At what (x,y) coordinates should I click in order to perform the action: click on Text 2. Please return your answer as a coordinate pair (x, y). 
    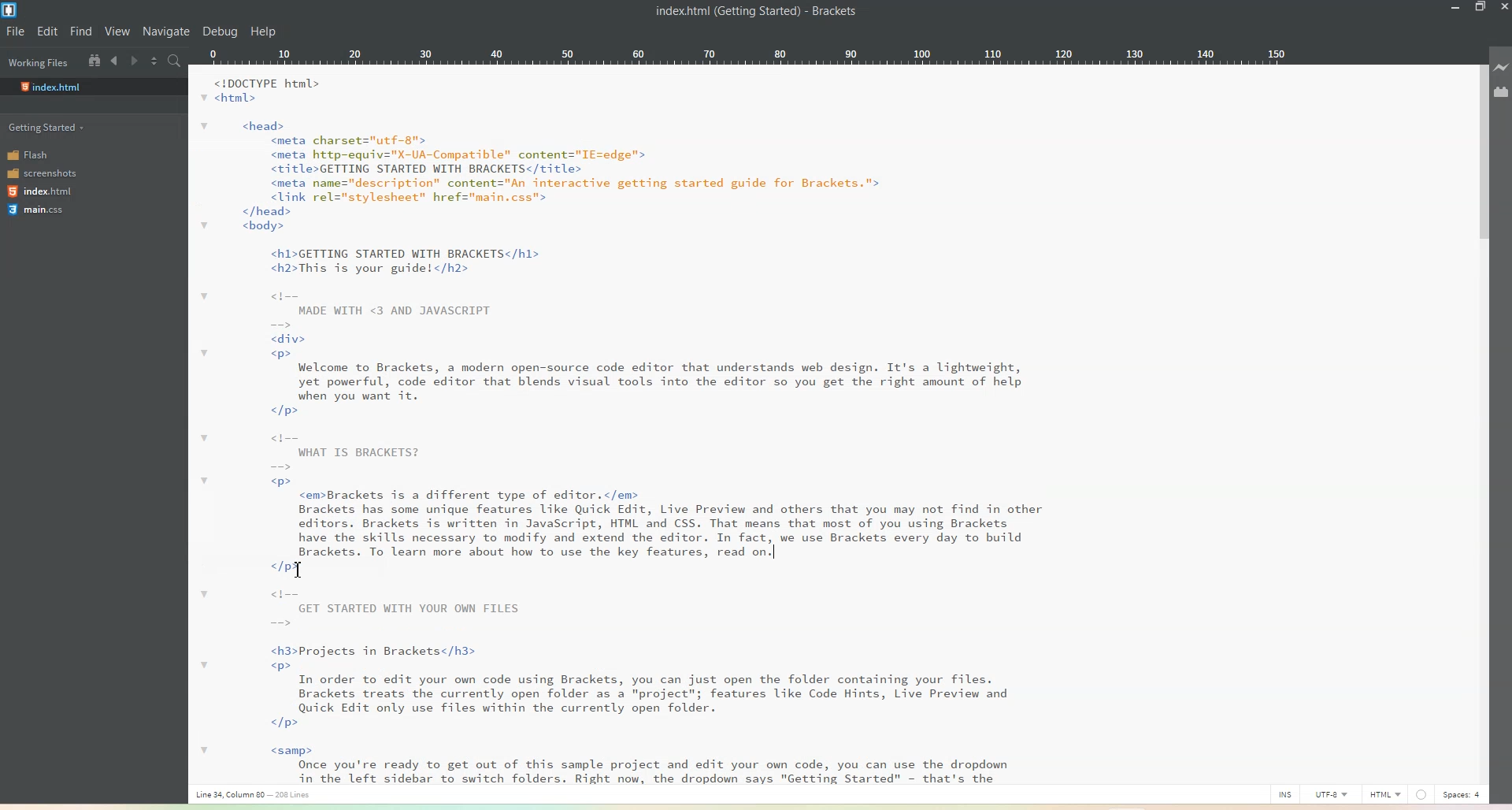
    Looking at the image, I should click on (757, 10).